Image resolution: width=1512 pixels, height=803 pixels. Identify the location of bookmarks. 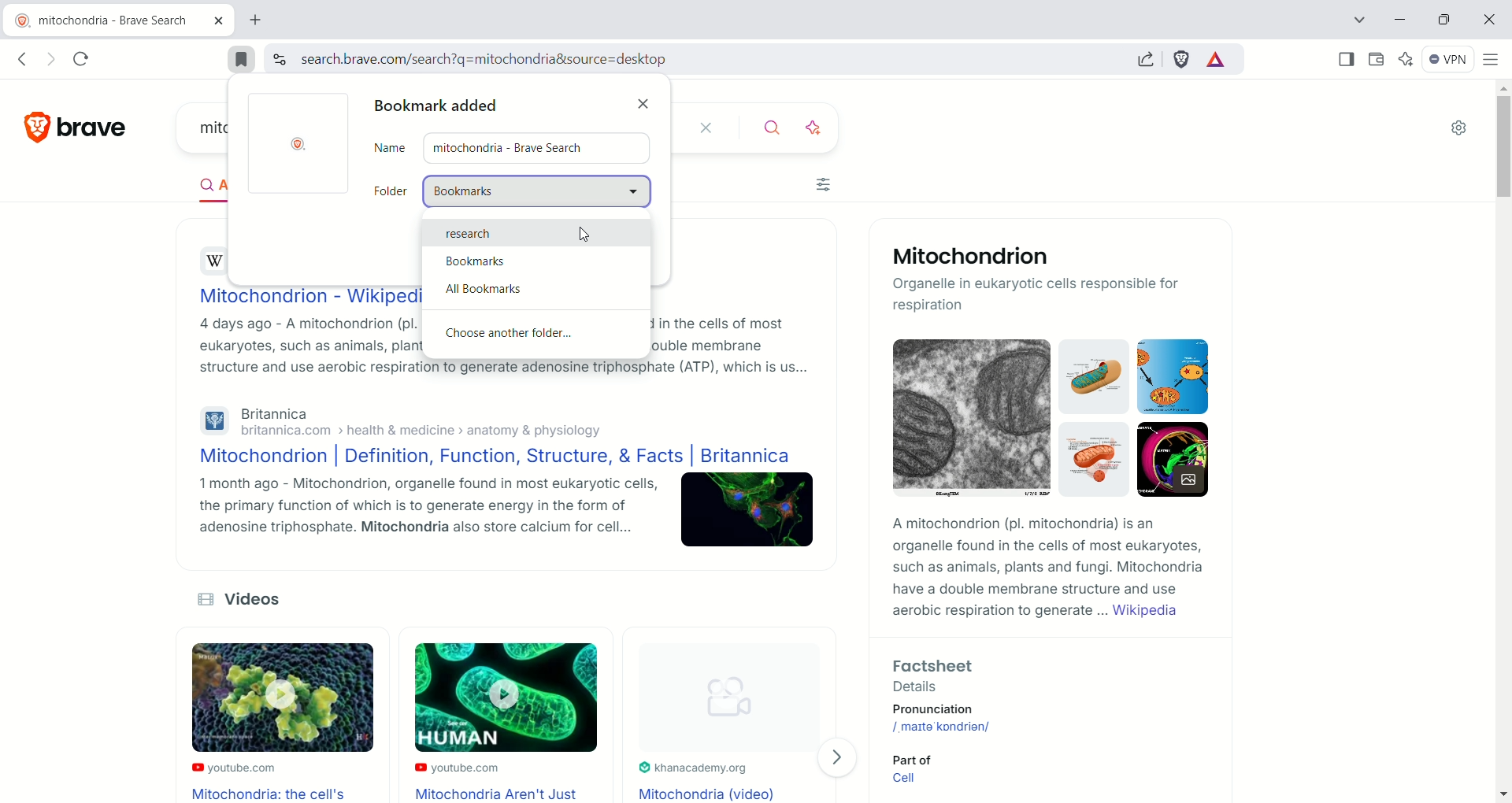
(536, 260).